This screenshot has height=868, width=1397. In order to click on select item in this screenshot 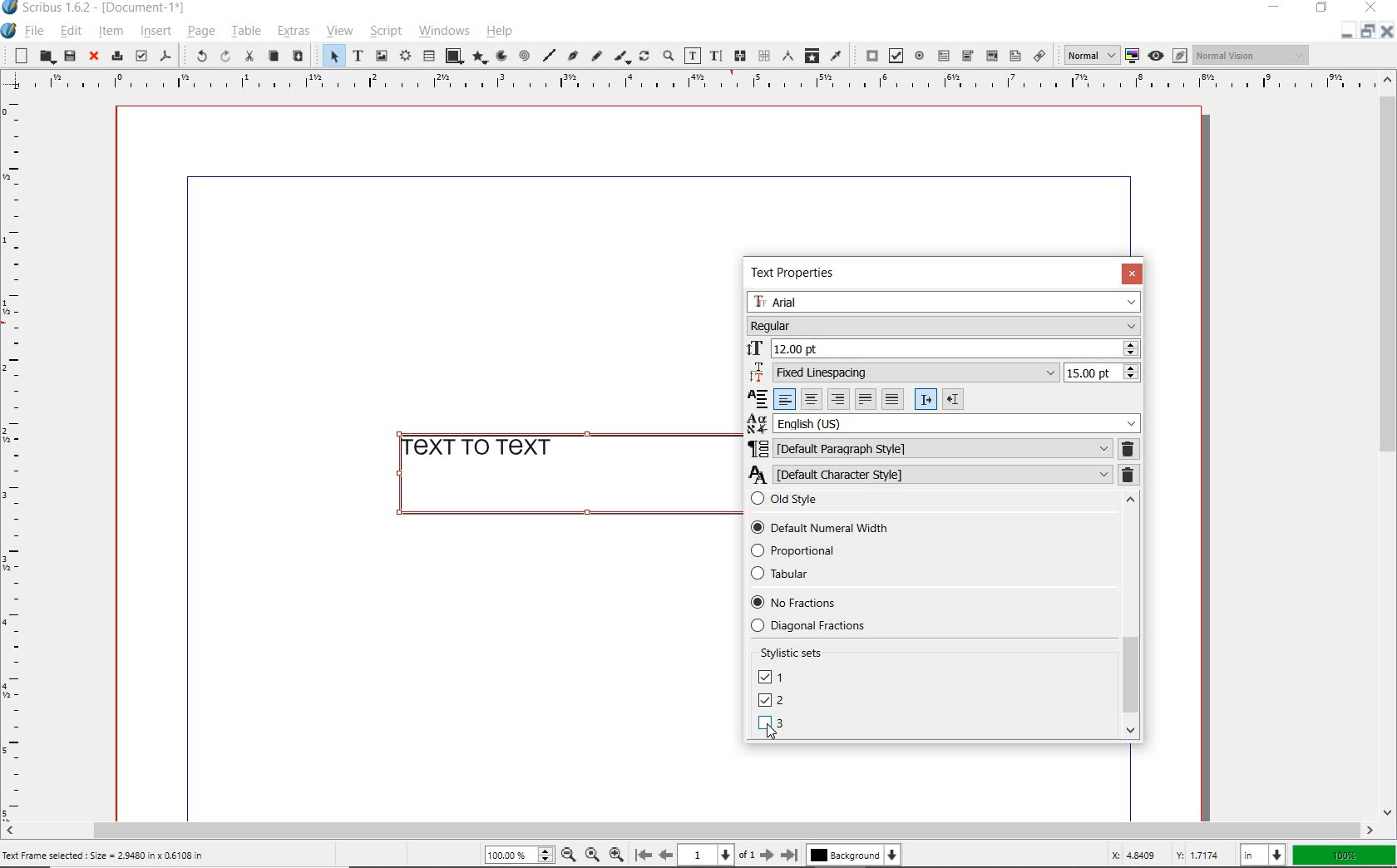, I will do `click(331, 57)`.